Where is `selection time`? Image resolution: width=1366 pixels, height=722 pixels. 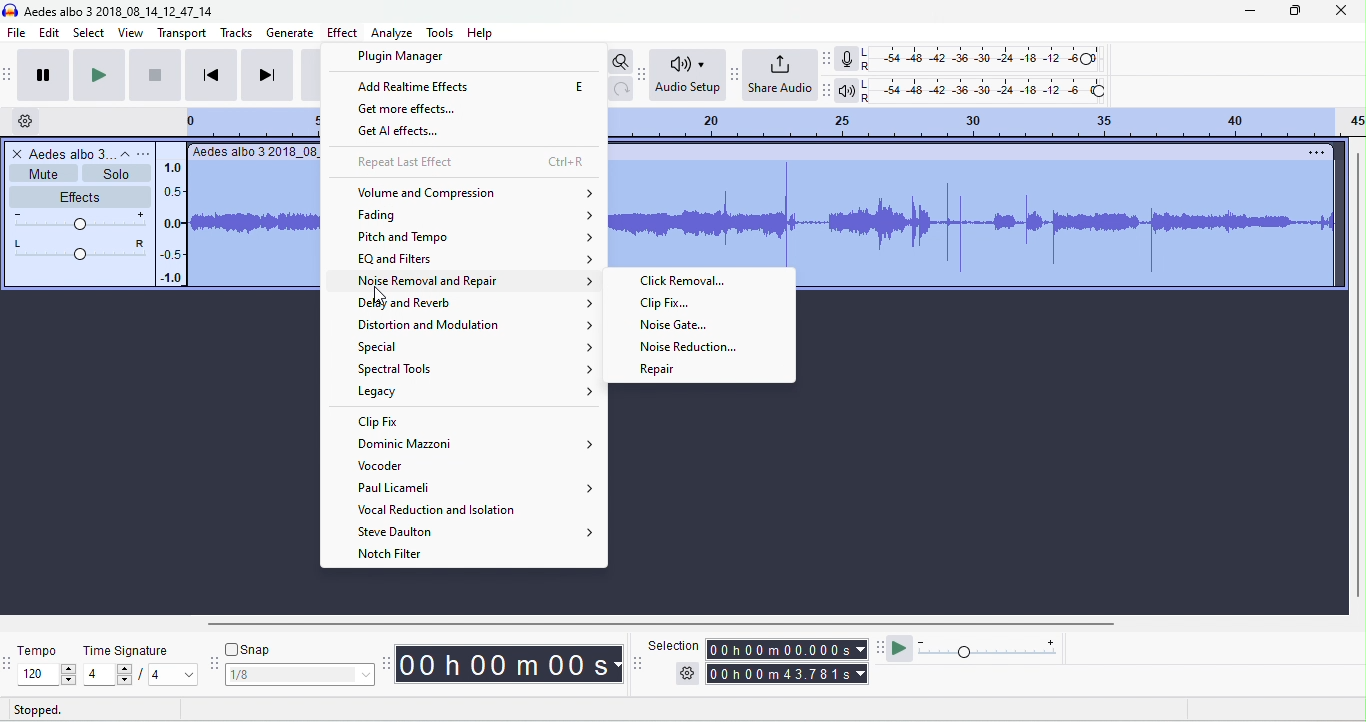
selection time is located at coordinates (788, 648).